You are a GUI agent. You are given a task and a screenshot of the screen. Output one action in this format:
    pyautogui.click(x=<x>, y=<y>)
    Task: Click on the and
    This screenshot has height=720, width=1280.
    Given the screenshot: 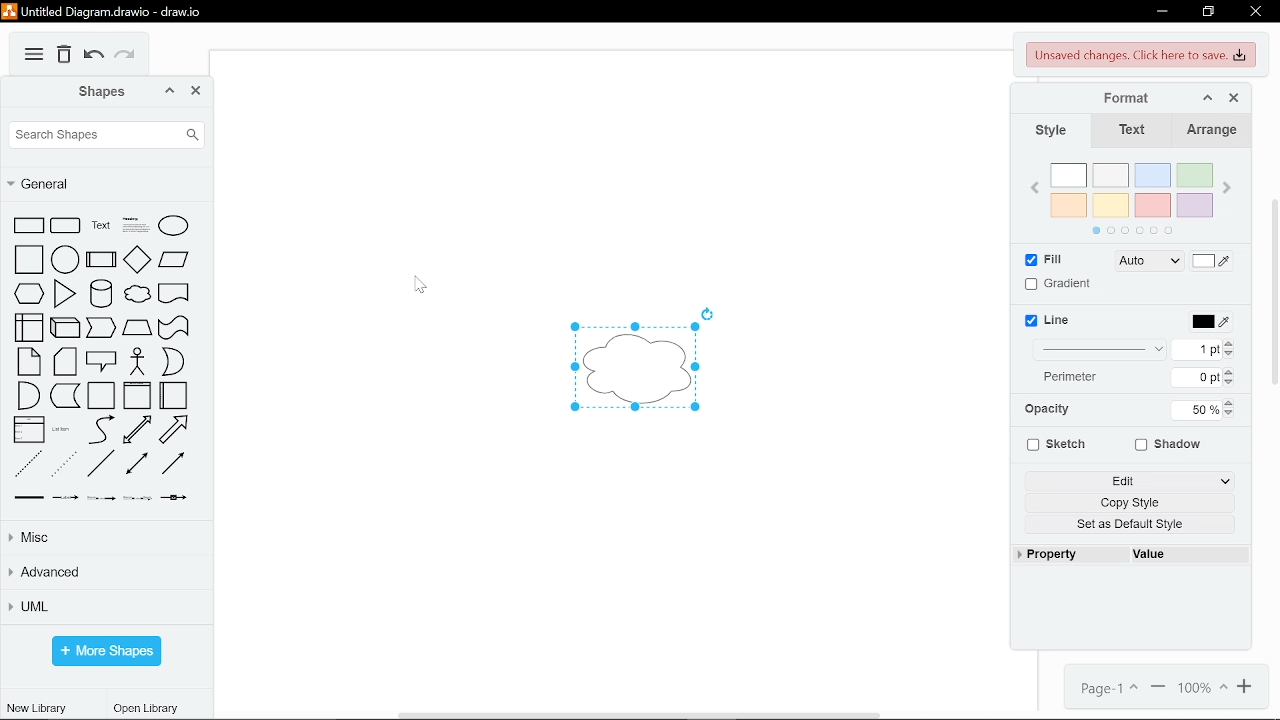 What is the action you would take?
    pyautogui.click(x=28, y=396)
    